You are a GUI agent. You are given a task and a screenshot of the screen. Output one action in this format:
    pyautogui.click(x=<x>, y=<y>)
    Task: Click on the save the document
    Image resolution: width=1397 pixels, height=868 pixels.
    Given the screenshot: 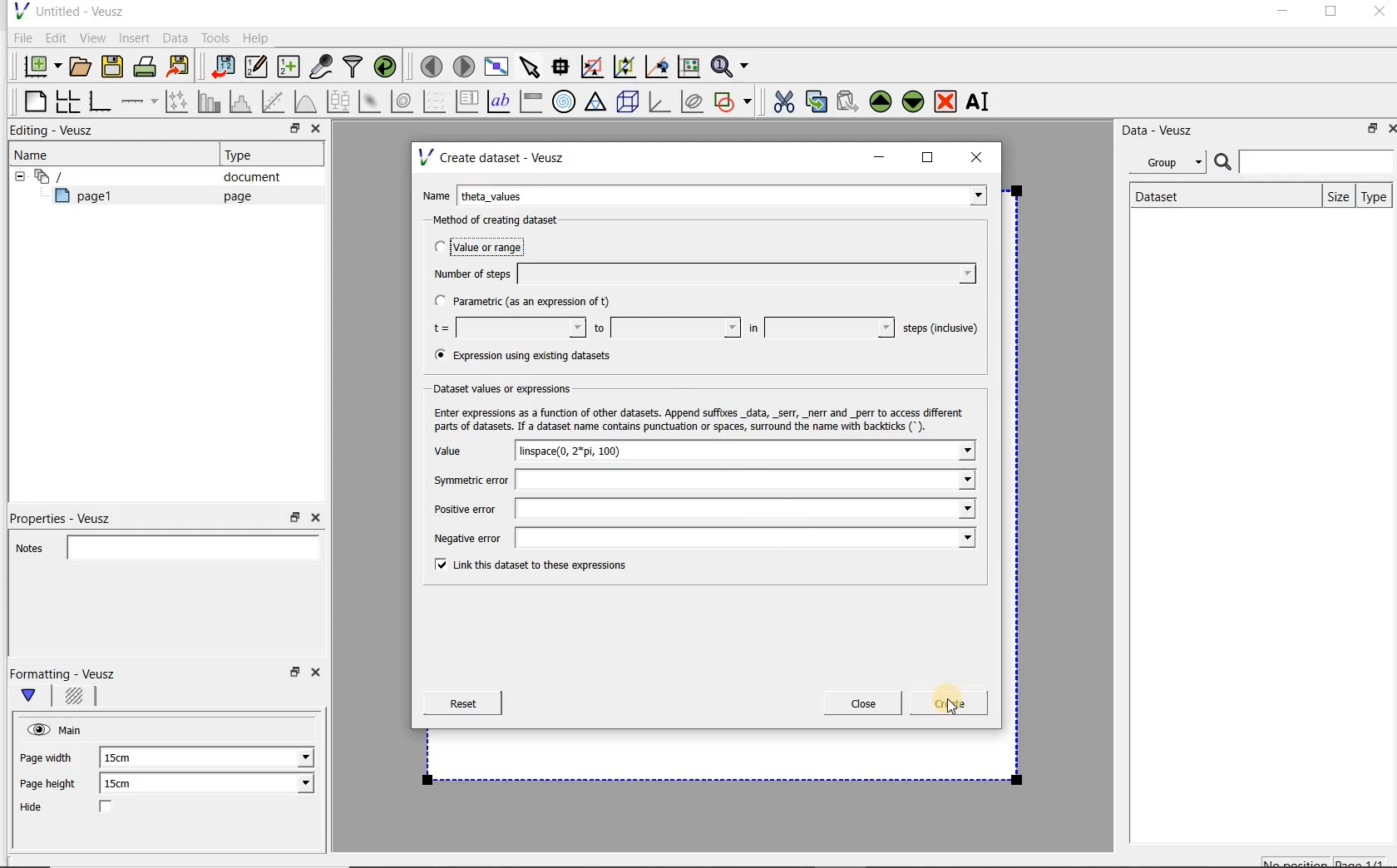 What is the action you would take?
    pyautogui.click(x=116, y=67)
    